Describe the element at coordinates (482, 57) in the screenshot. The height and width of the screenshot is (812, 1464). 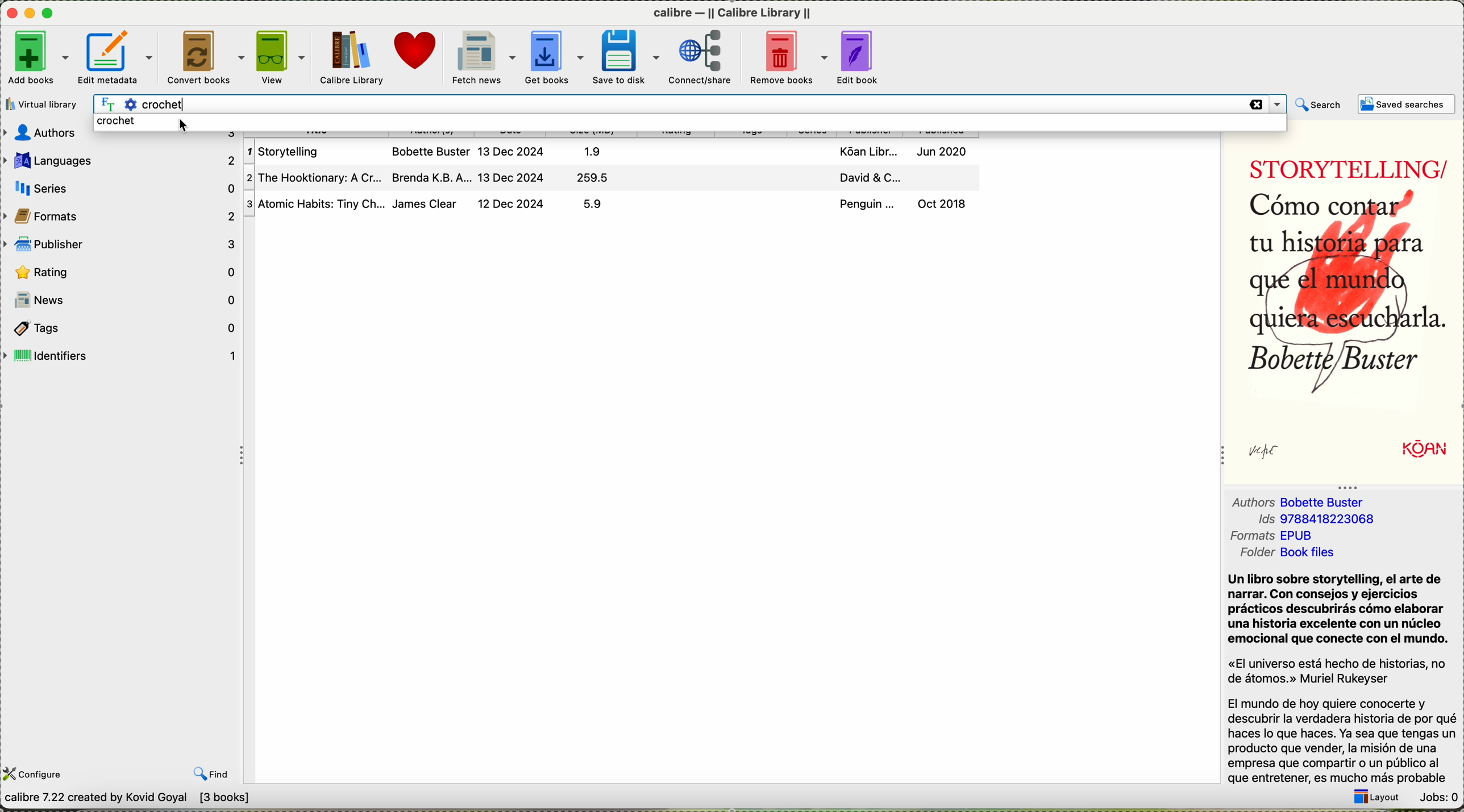
I see `fetch news` at that location.